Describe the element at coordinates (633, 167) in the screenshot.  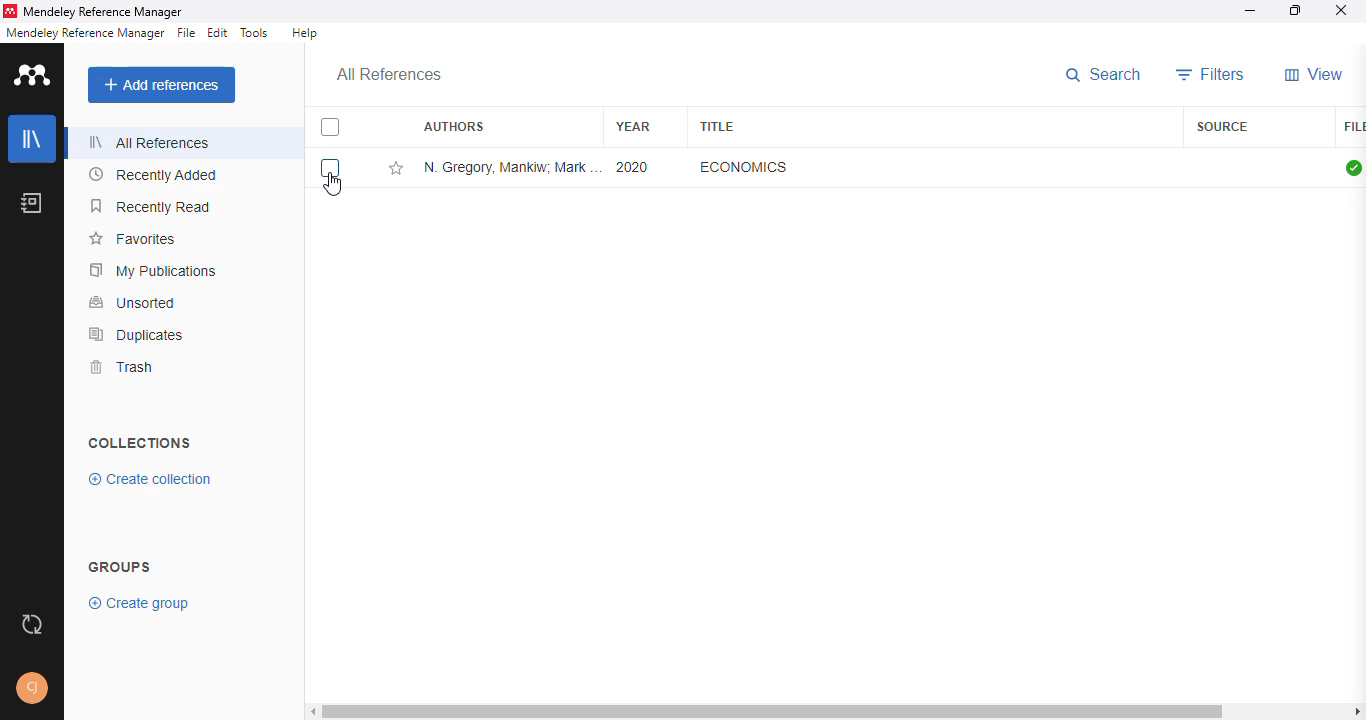
I see `2020` at that location.